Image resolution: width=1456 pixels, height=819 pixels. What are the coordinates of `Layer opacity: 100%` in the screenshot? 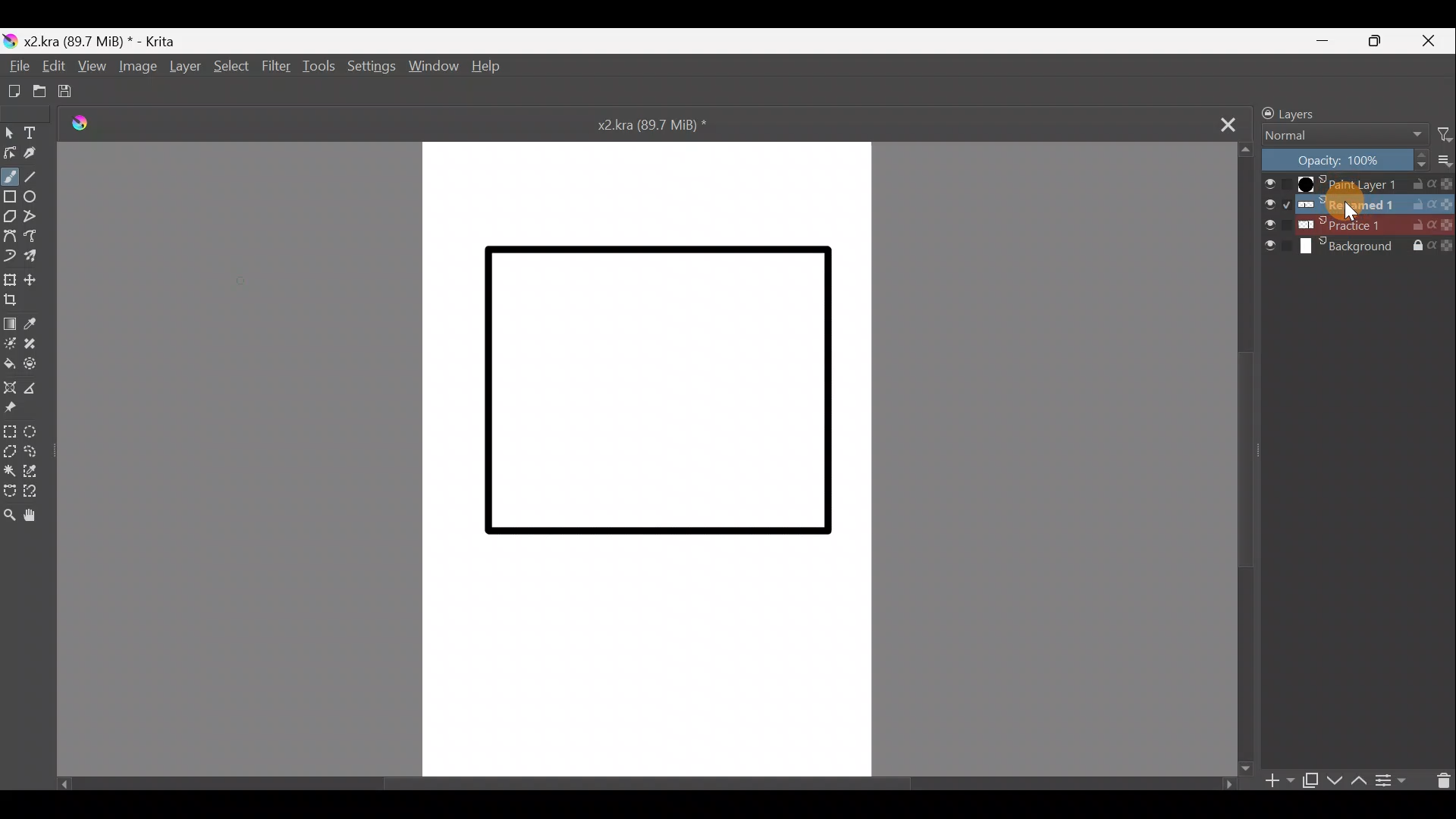 It's located at (1341, 160).